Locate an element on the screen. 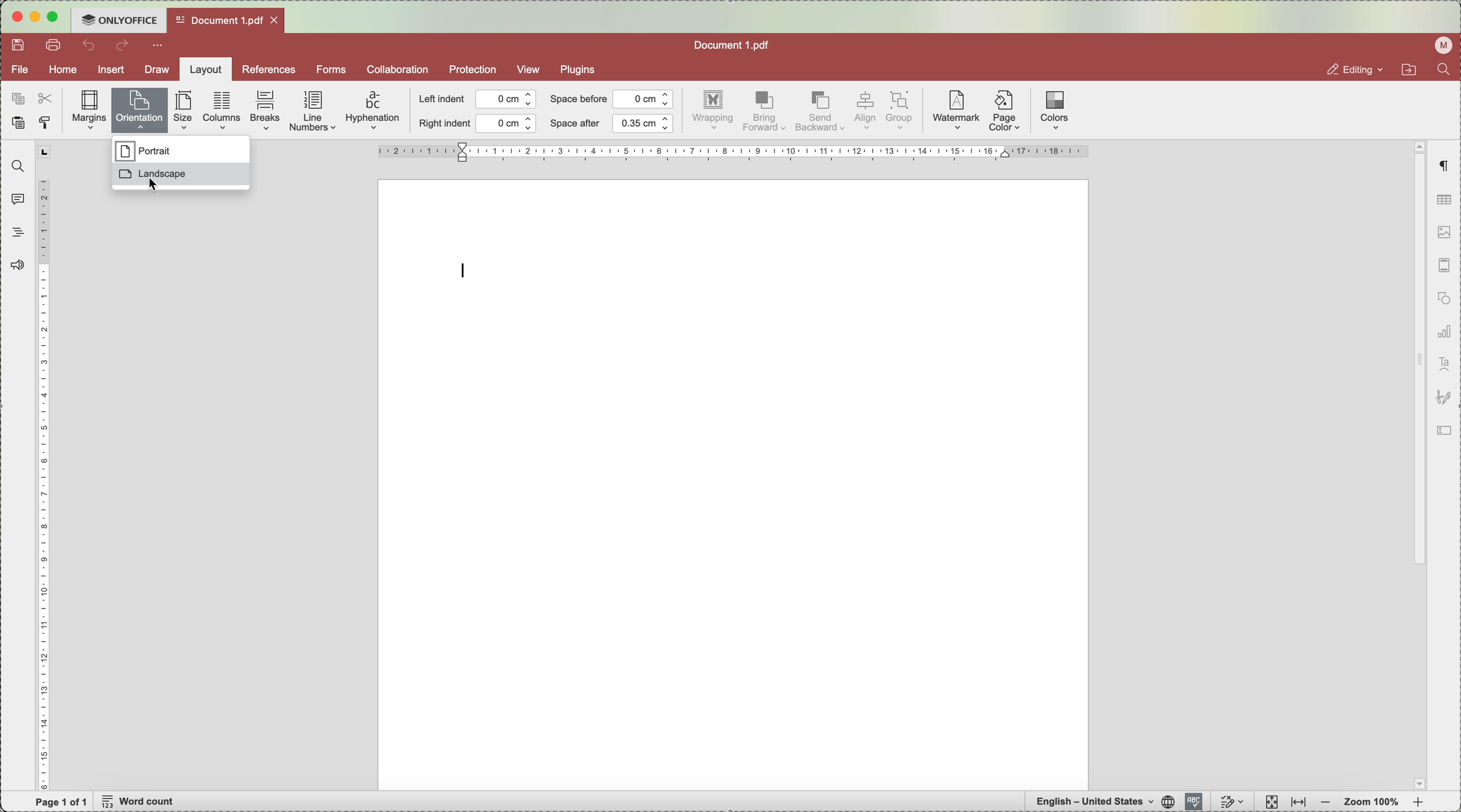 The height and width of the screenshot is (812, 1461). space before is located at coordinates (611, 99).